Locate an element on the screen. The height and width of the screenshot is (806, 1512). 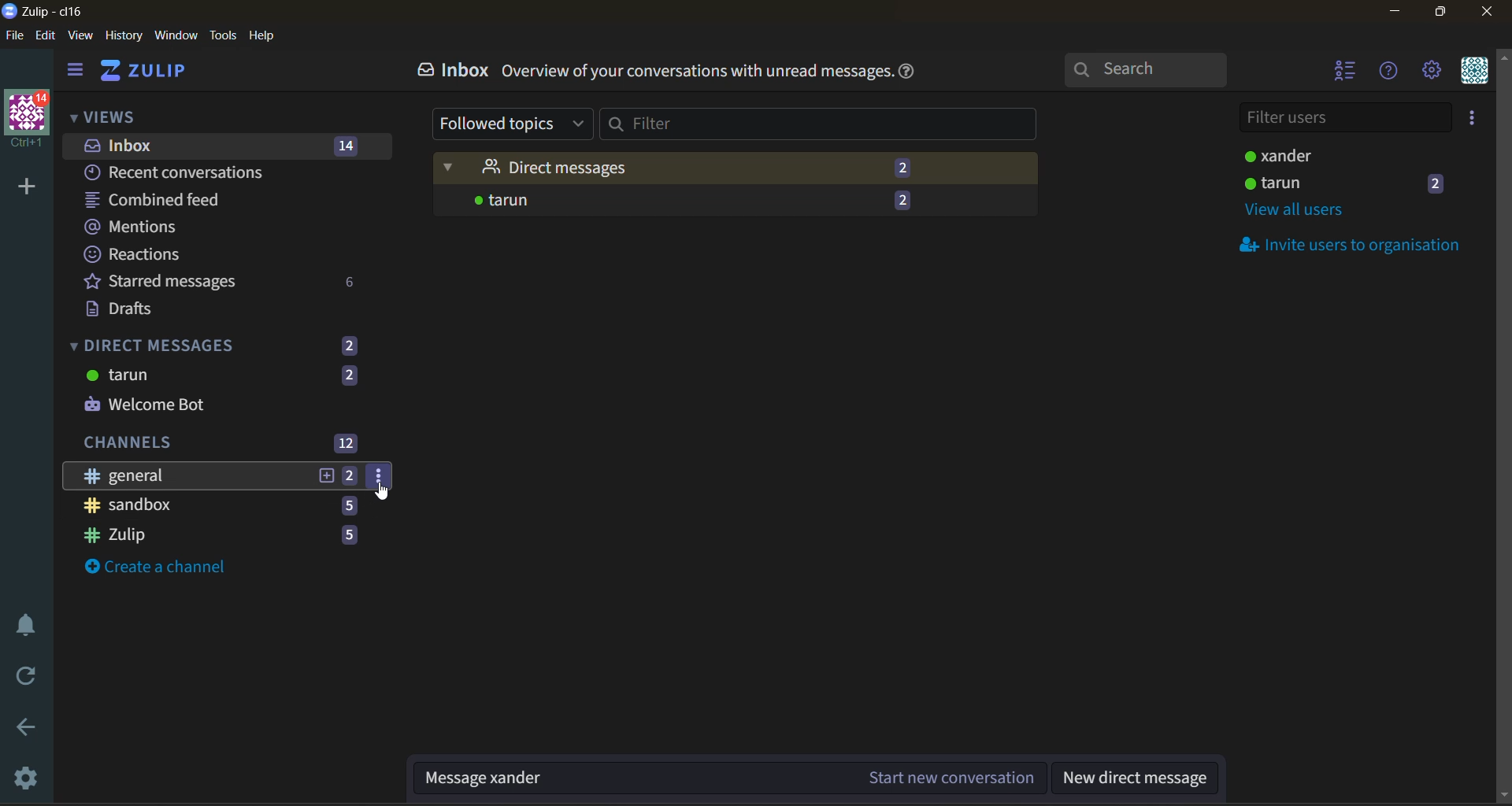
window is located at coordinates (177, 37).